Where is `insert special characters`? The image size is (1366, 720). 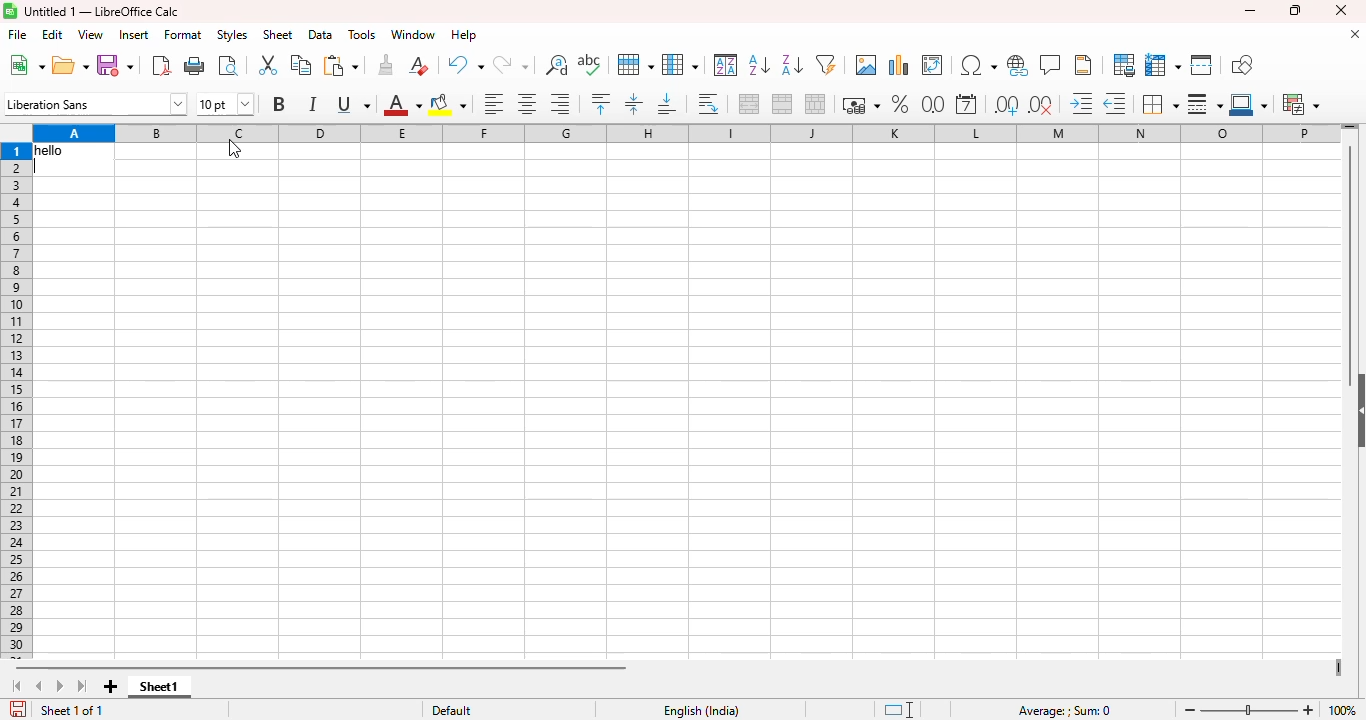
insert special characters is located at coordinates (979, 65).